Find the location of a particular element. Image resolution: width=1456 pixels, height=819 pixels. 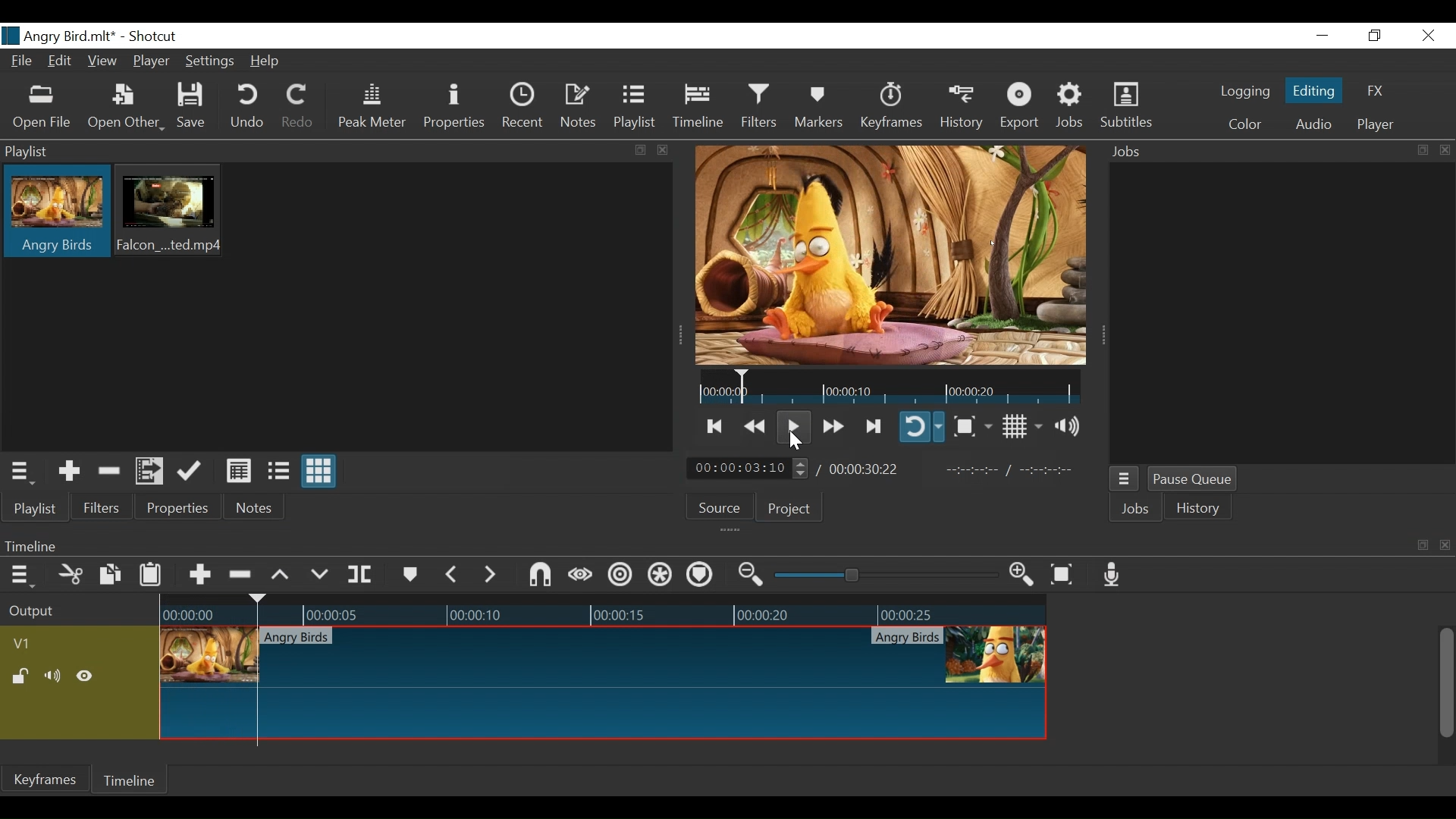

Ripple is located at coordinates (620, 575).